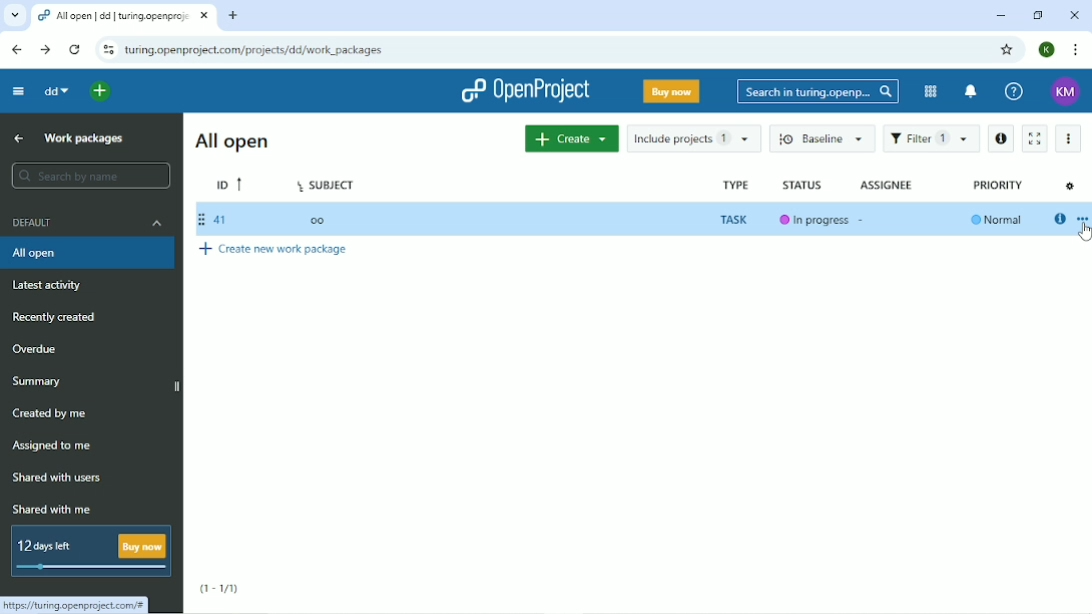 The width and height of the screenshot is (1092, 614). Describe the element at coordinates (123, 17) in the screenshot. I see `Current tab` at that location.